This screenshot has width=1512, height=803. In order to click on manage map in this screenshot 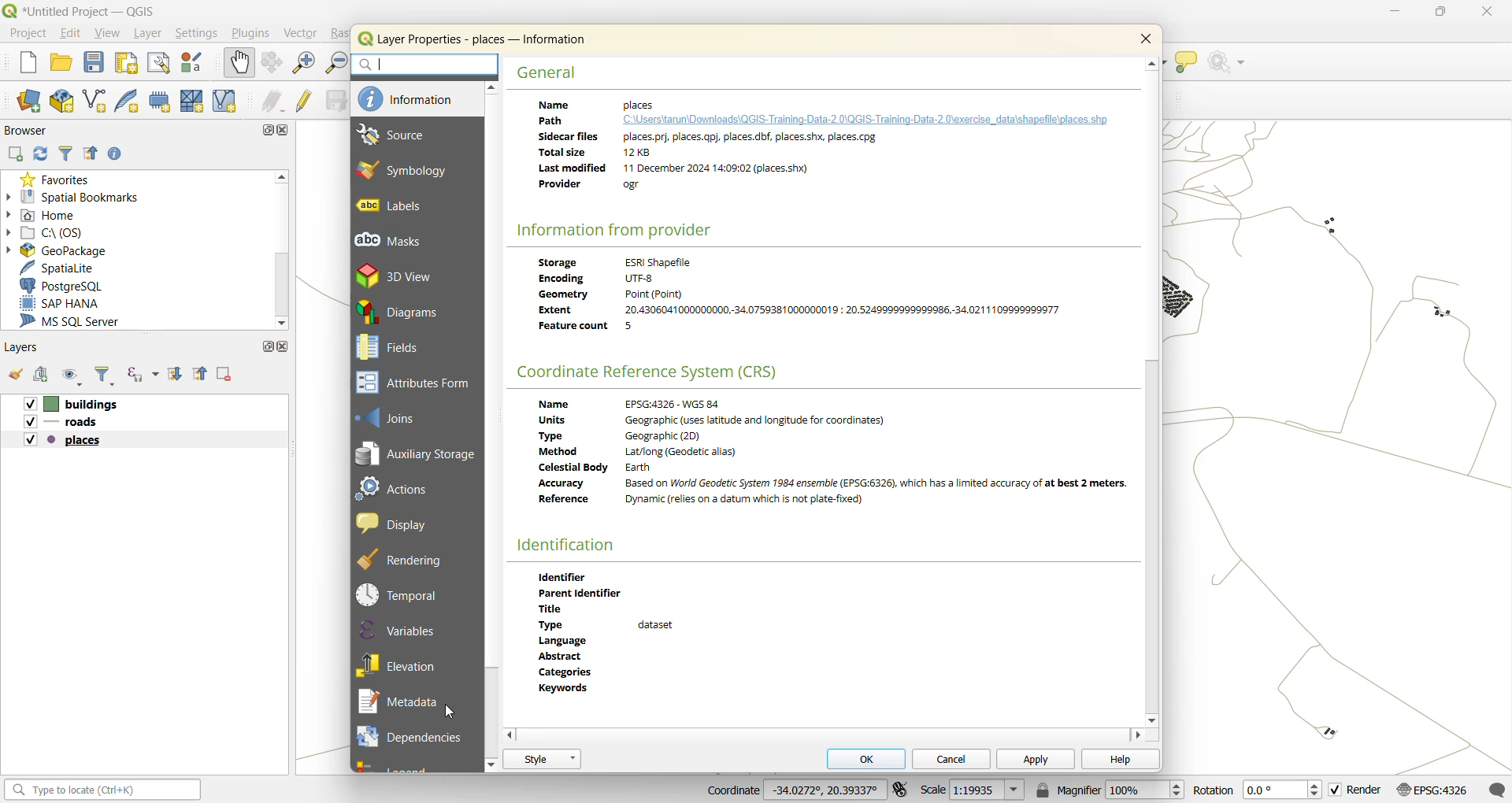, I will do `click(76, 376)`.